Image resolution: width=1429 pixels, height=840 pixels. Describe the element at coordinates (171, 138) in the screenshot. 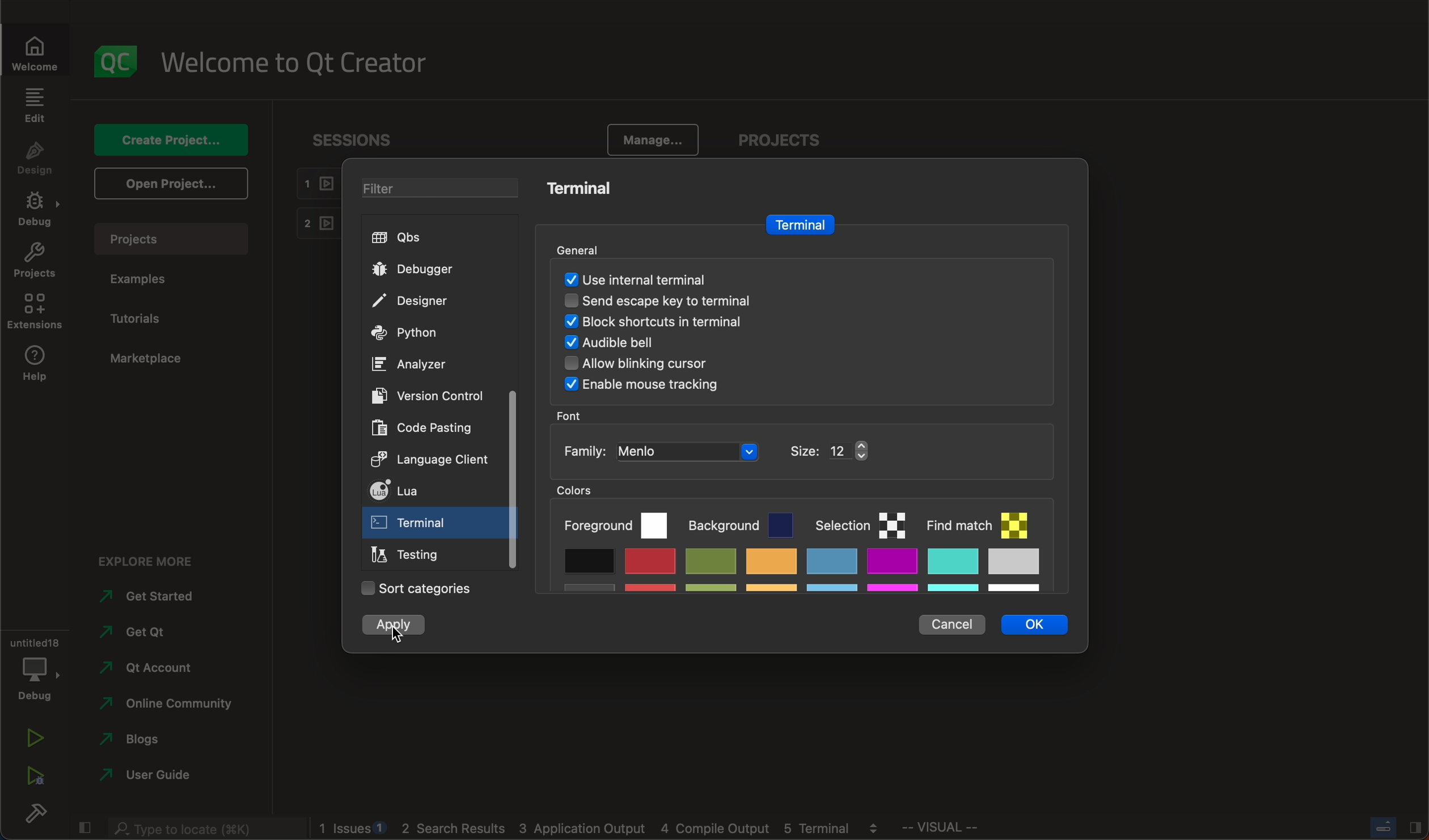

I see `create project` at that location.